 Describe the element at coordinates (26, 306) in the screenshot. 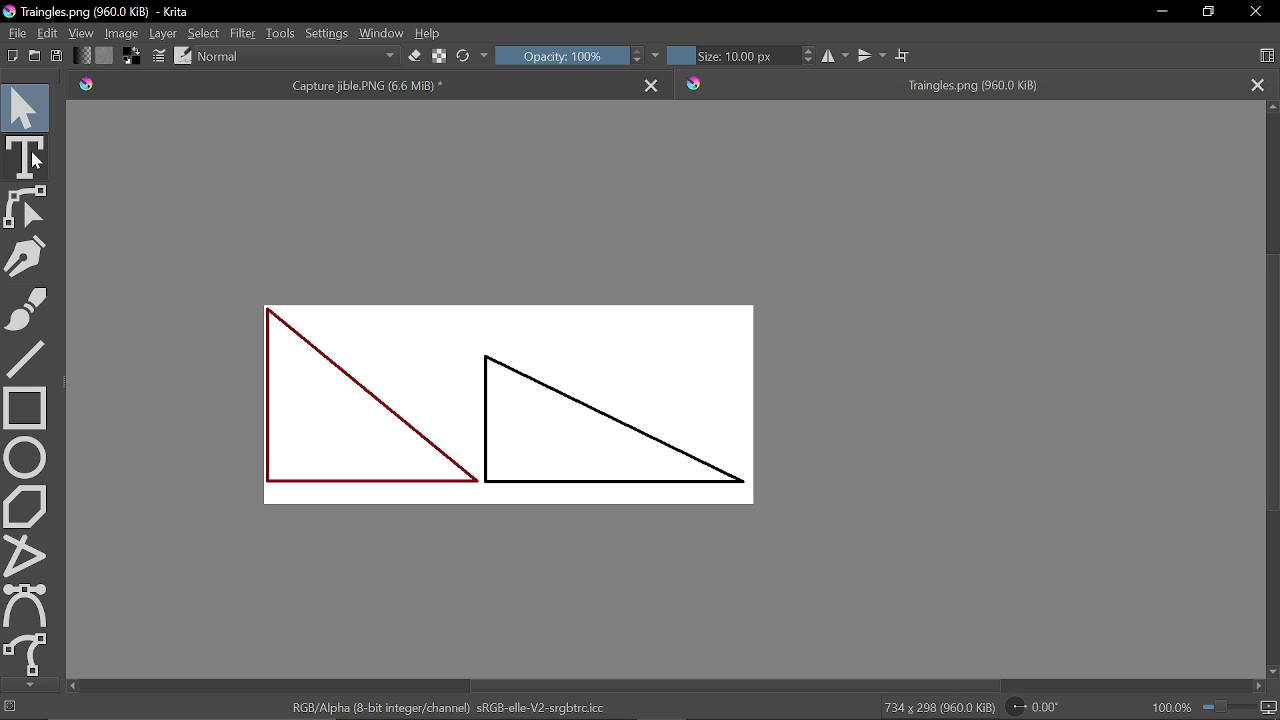

I see `Freehand brush tool` at that location.